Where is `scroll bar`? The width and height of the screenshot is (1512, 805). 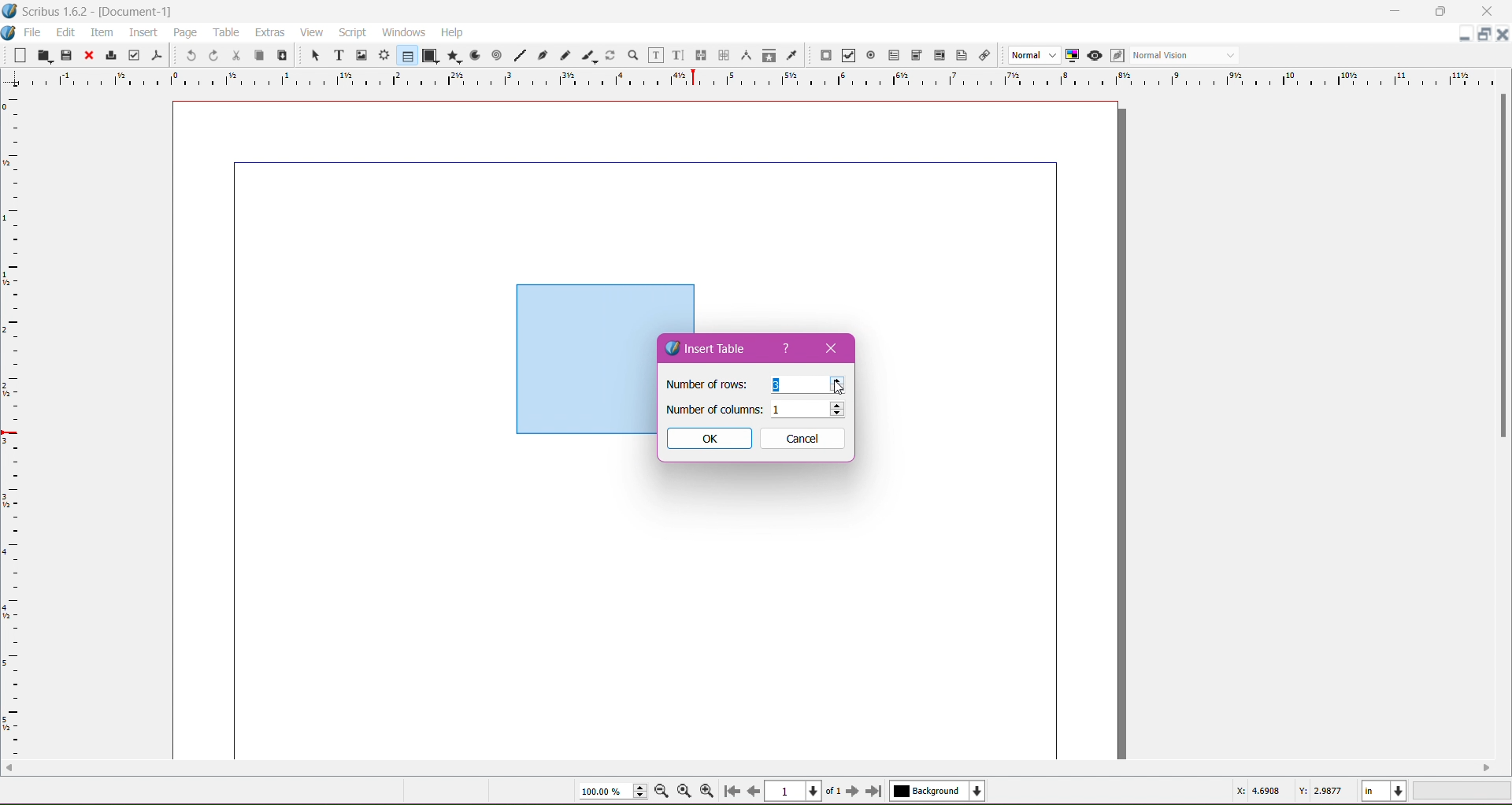
scroll bar is located at coordinates (1500, 425).